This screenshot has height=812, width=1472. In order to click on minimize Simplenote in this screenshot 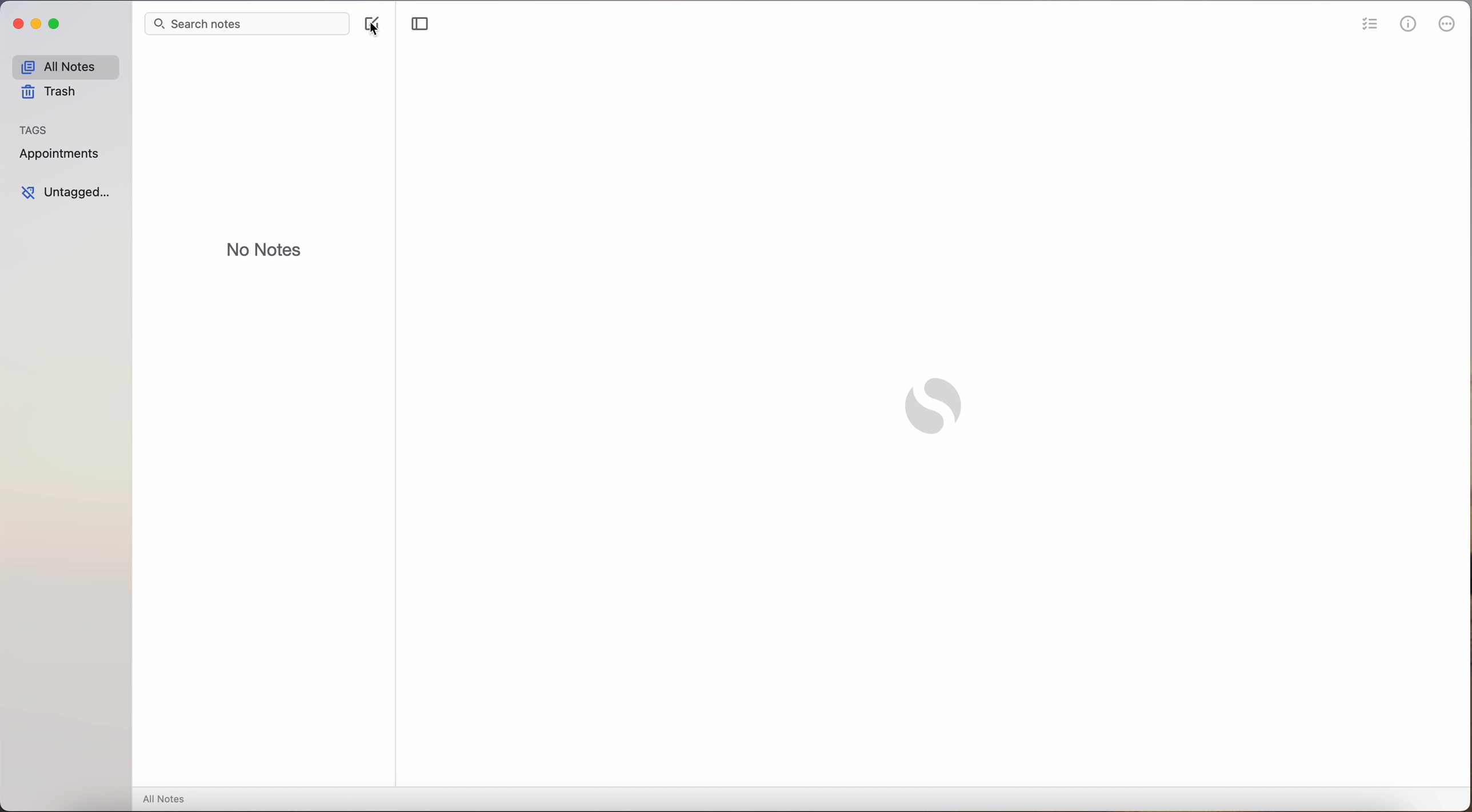, I will do `click(36, 25)`.